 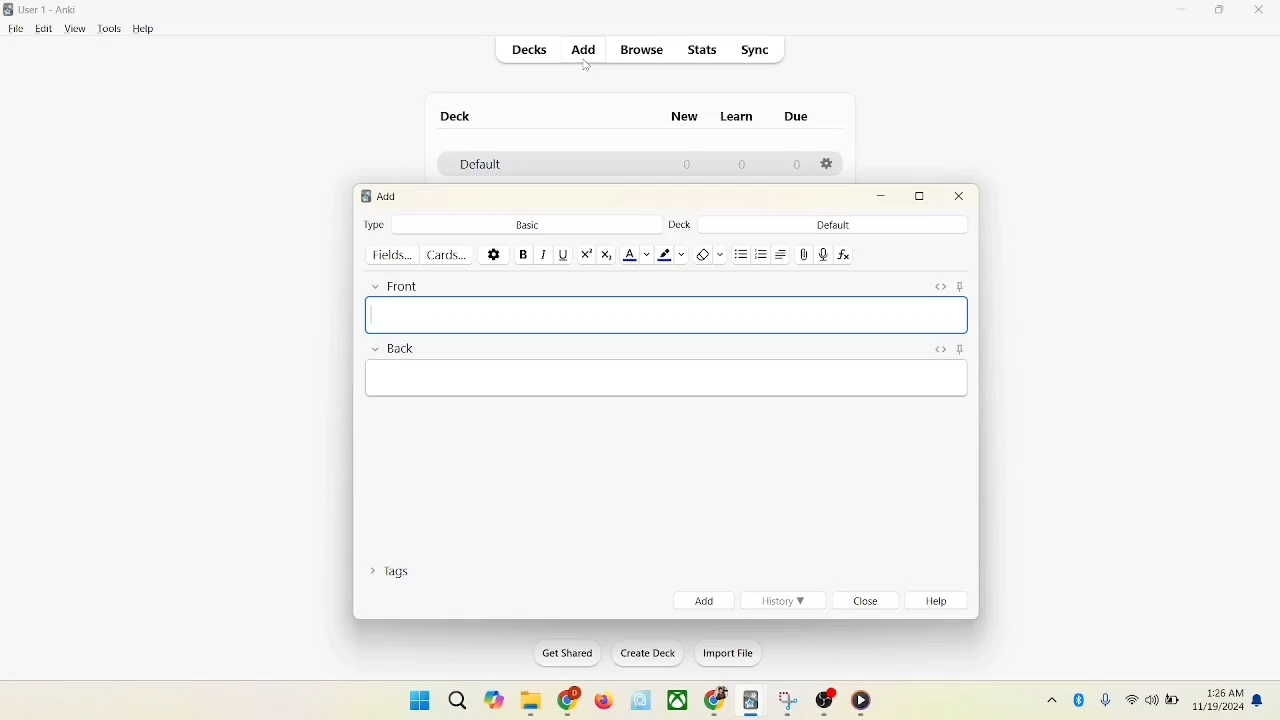 I want to click on User1-Anki, so click(x=52, y=10).